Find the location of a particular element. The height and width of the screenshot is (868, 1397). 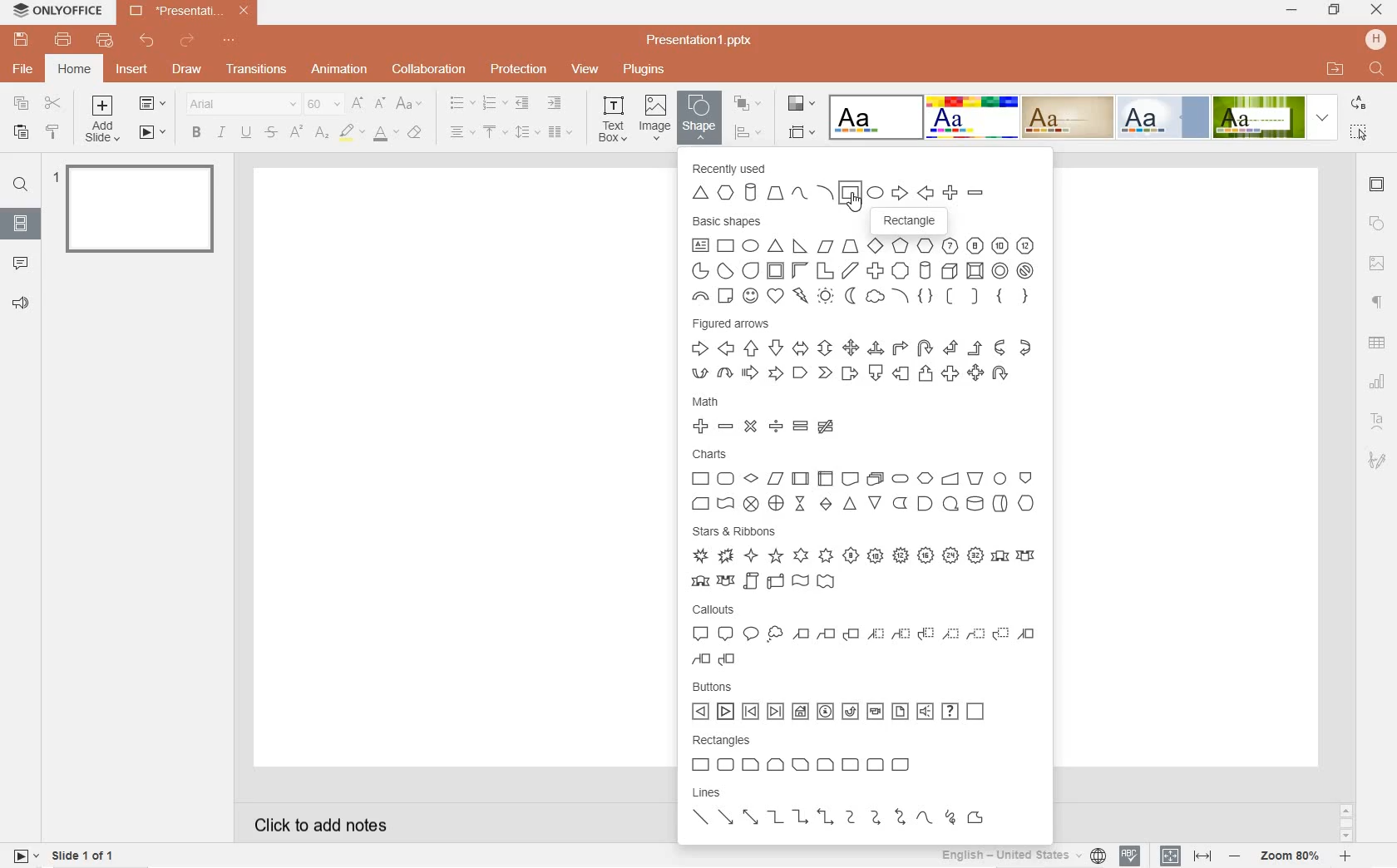

Preparation is located at coordinates (925, 479).